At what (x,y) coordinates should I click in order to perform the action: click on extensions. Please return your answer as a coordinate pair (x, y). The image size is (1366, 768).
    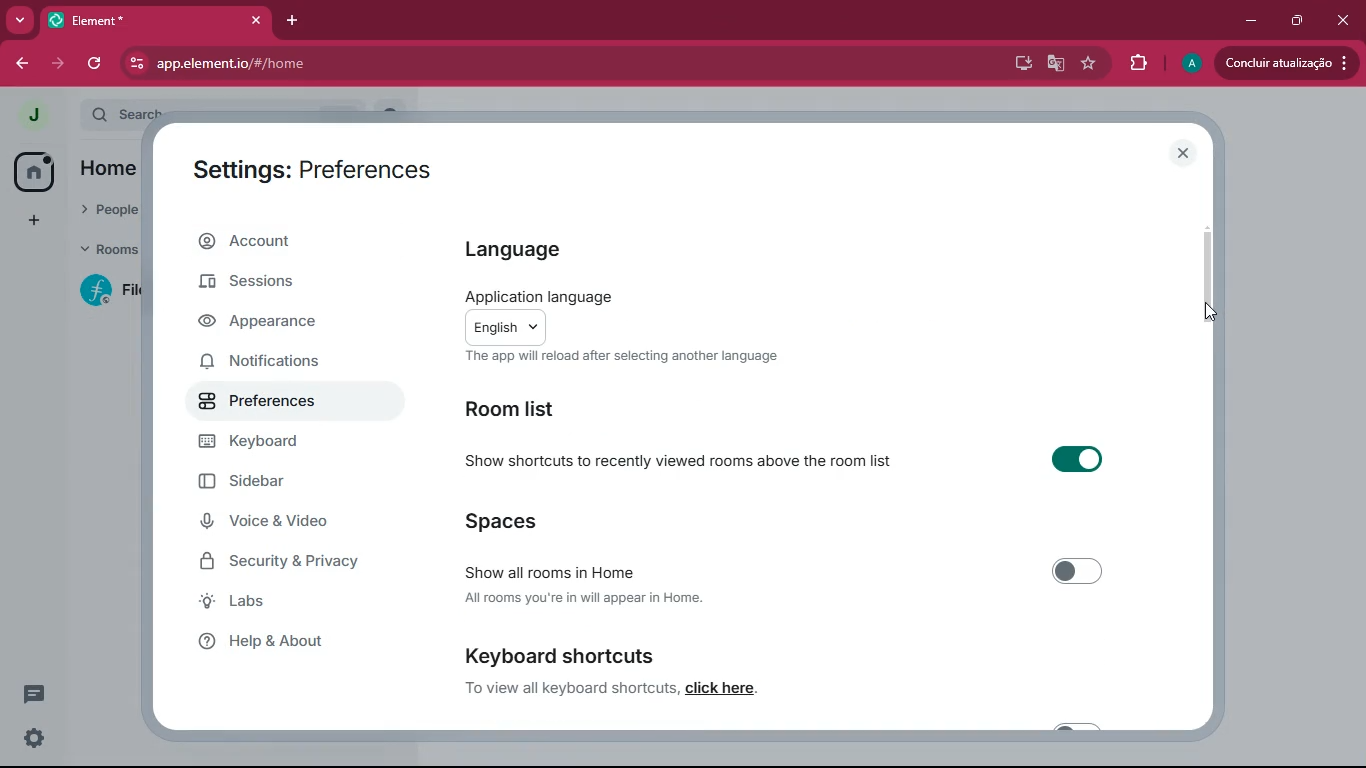
    Looking at the image, I should click on (1137, 66).